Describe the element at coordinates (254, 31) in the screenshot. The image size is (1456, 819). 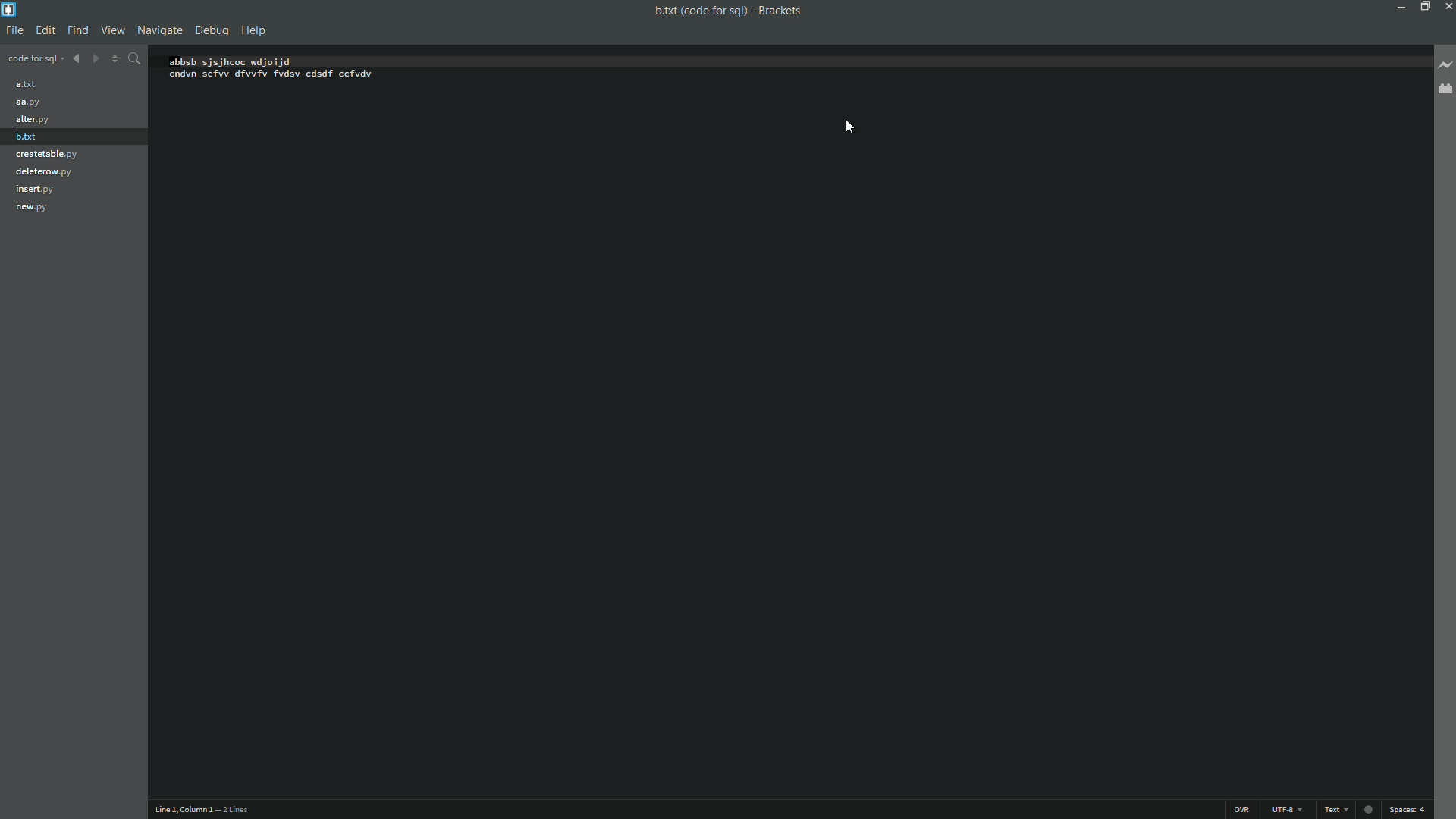
I see `help` at that location.